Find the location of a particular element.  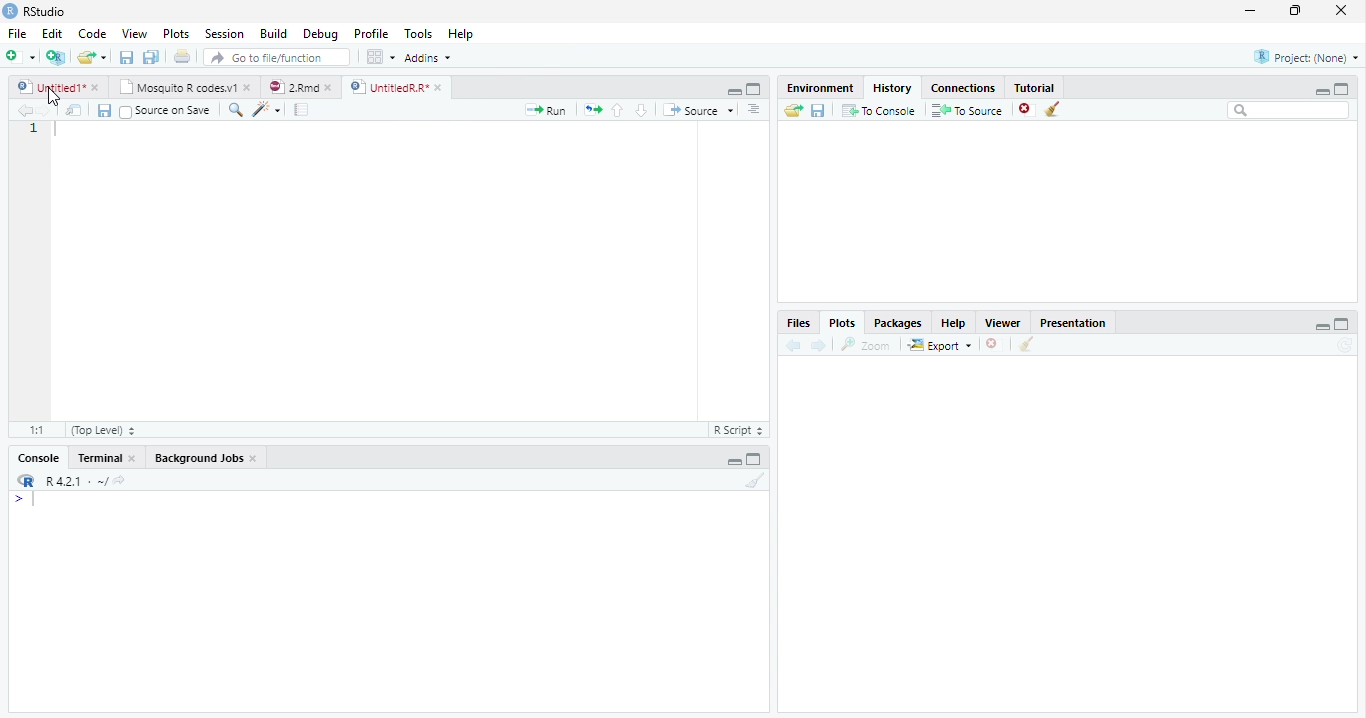

Close is located at coordinates (1343, 11).